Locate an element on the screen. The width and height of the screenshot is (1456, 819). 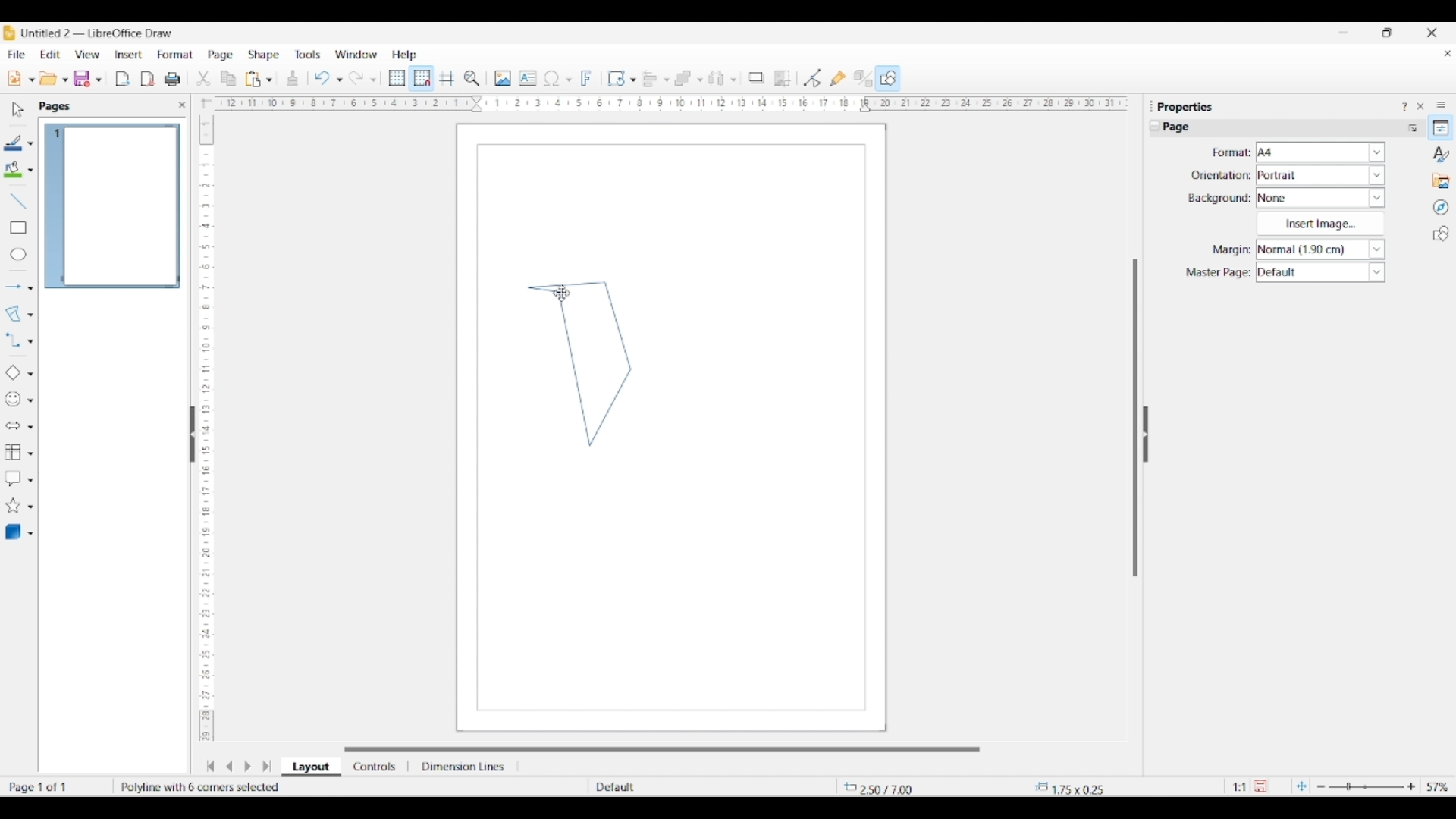
Transformations option is located at coordinates (632, 80).